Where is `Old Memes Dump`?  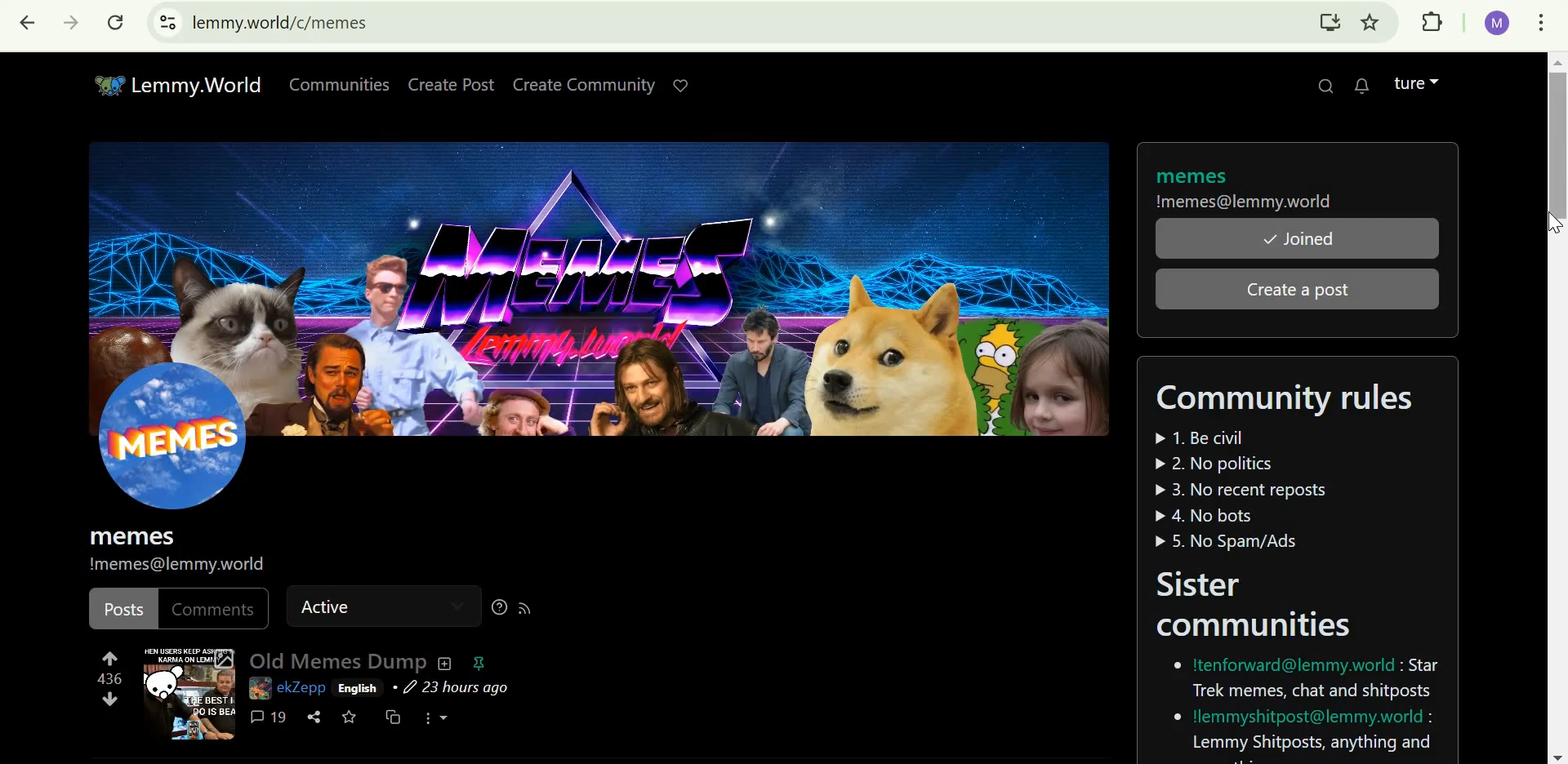
Old Memes Dump is located at coordinates (337, 659).